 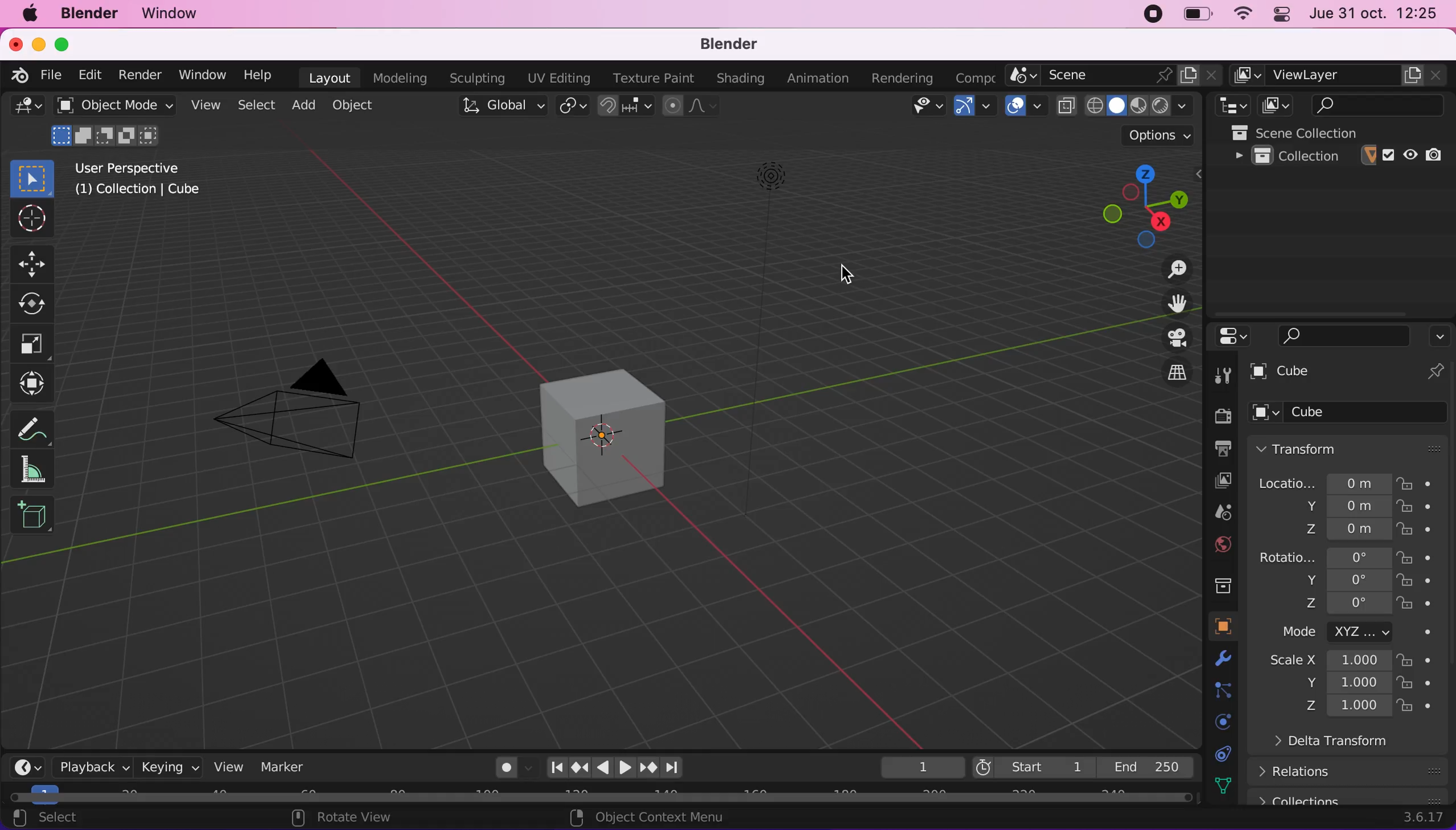 What do you see at coordinates (21, 76) in the screenshot?
I see `blender logo` at bounding box center [21, 76].